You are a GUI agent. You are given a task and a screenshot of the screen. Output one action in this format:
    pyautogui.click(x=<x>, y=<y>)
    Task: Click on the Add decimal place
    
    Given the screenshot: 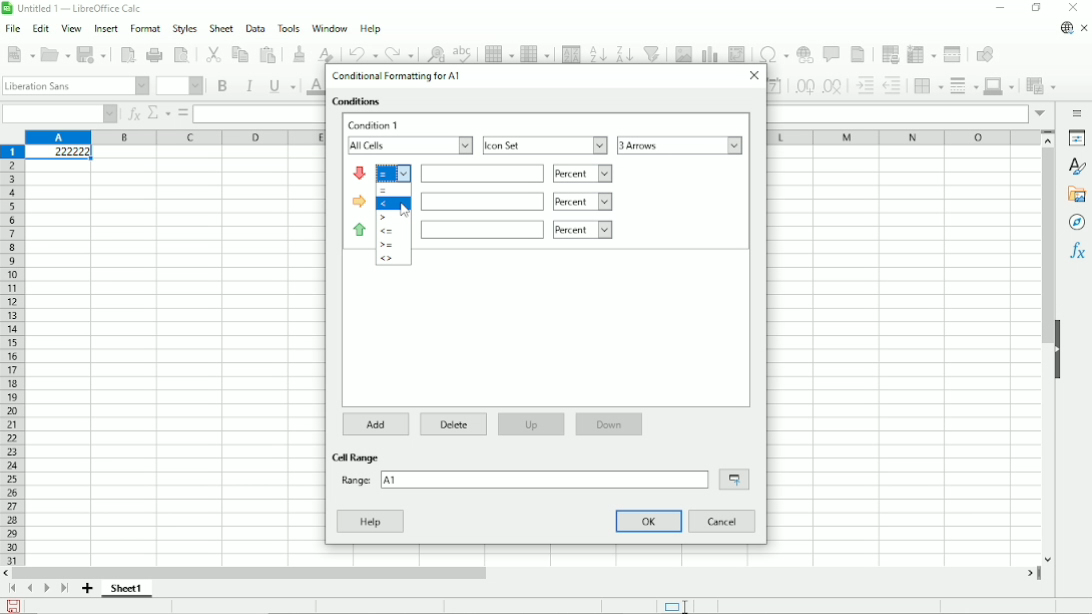 What is the action you would take?
    pyautogui.click(x=803, y=87)
    